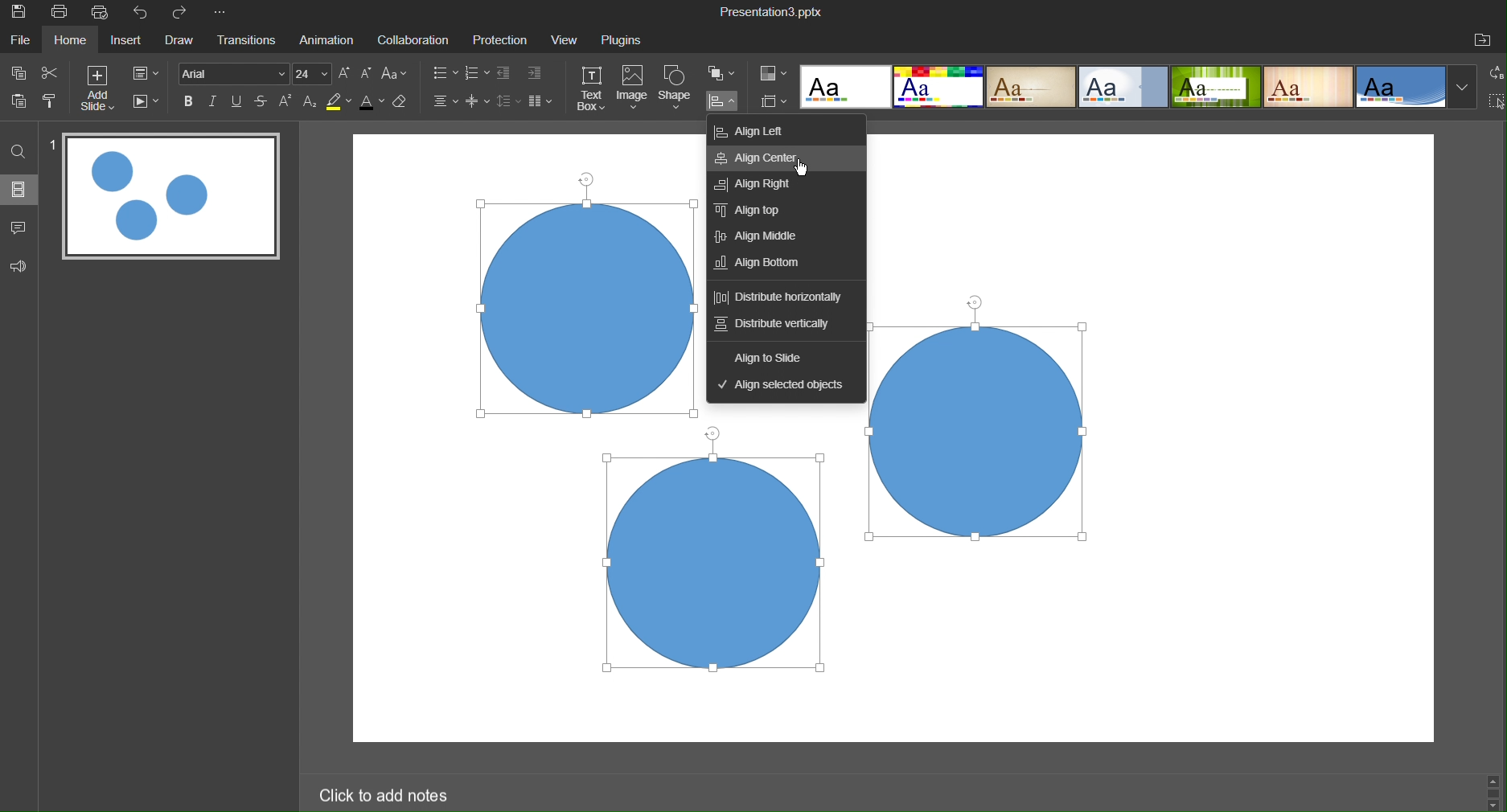 This screenshot has width=1507, height=812. Describe the element at coordinates (456, 74) in the screenshot. I see `Lists` at that location.